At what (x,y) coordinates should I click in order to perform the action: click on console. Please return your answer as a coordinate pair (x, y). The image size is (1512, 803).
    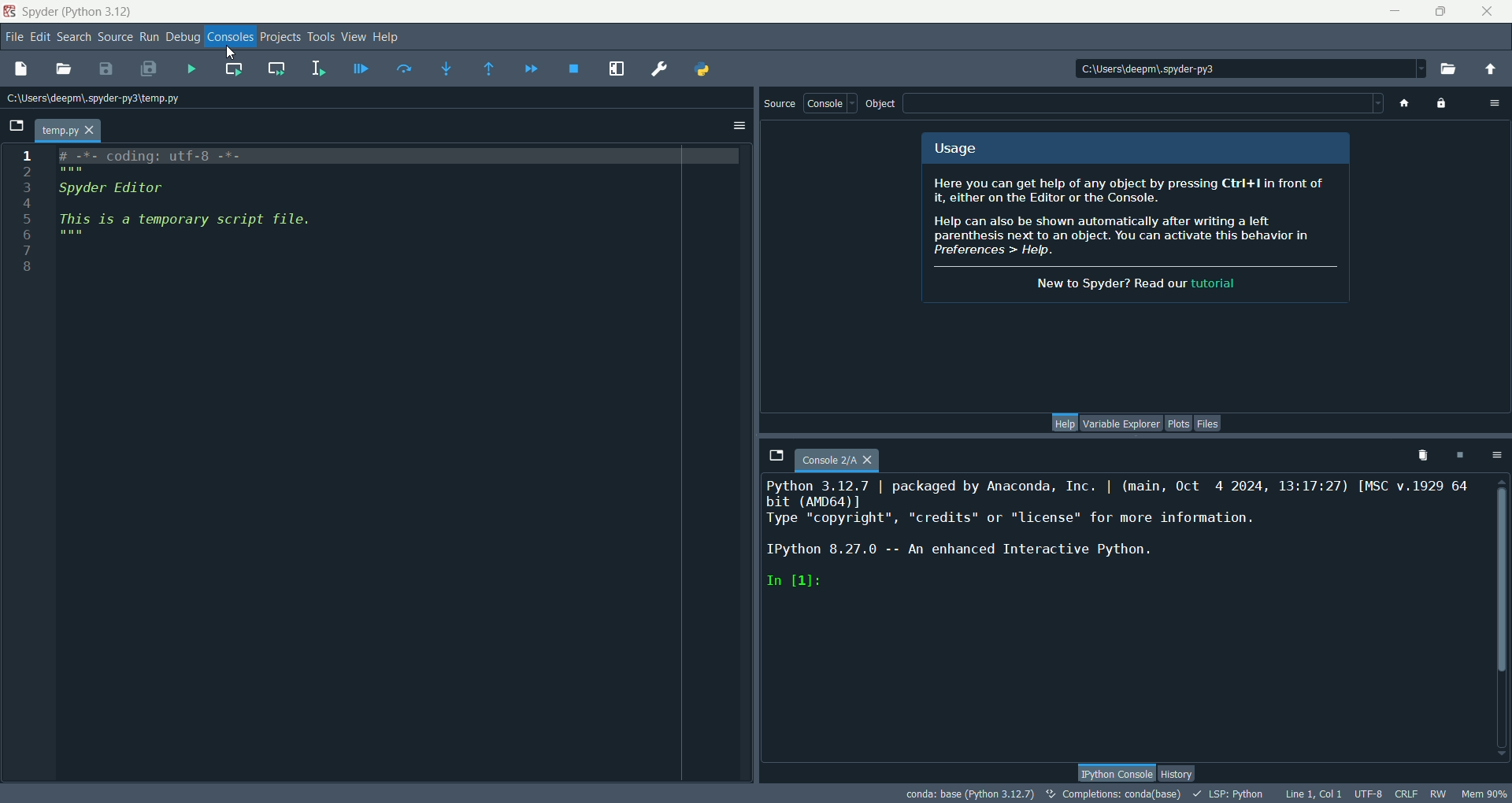
    Looking at the image, I should click on (839, 461).